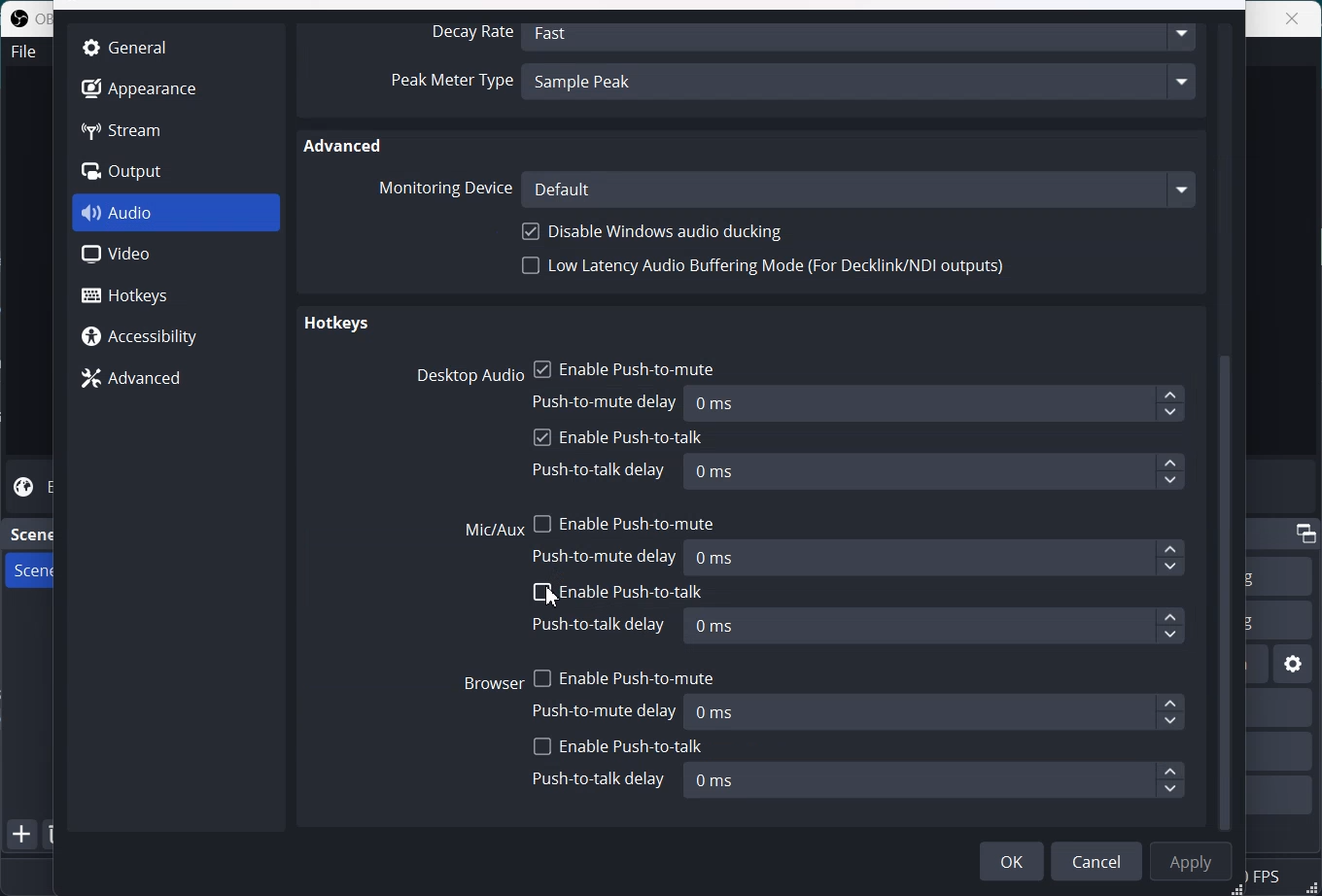  I want to click on Low Latency Audio Buffering Mode (For Decklink/NDI outputs), so click(765, 271).